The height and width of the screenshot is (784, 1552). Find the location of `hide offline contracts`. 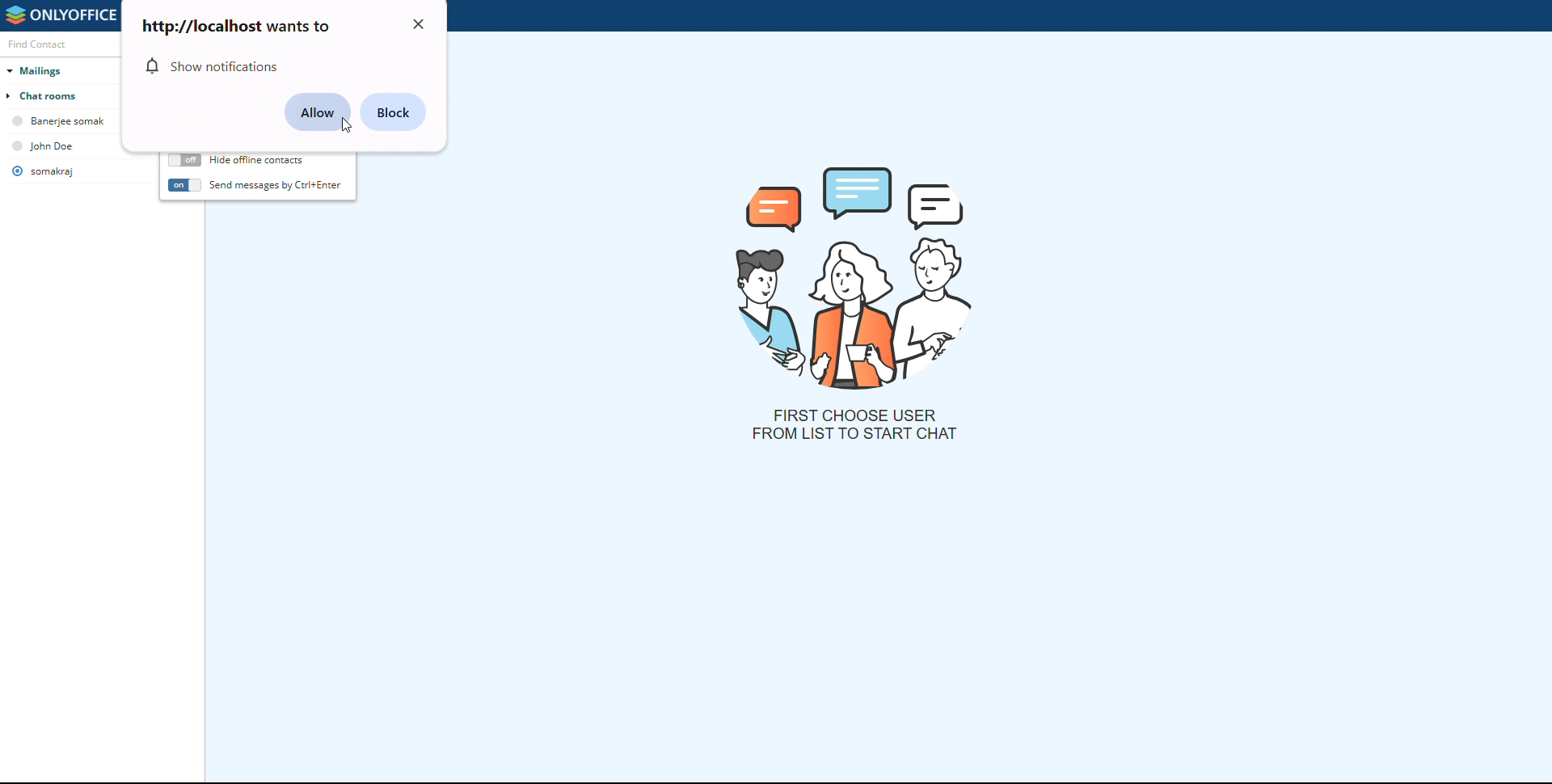

hide offline contracts is located at coordinates (184, 161).